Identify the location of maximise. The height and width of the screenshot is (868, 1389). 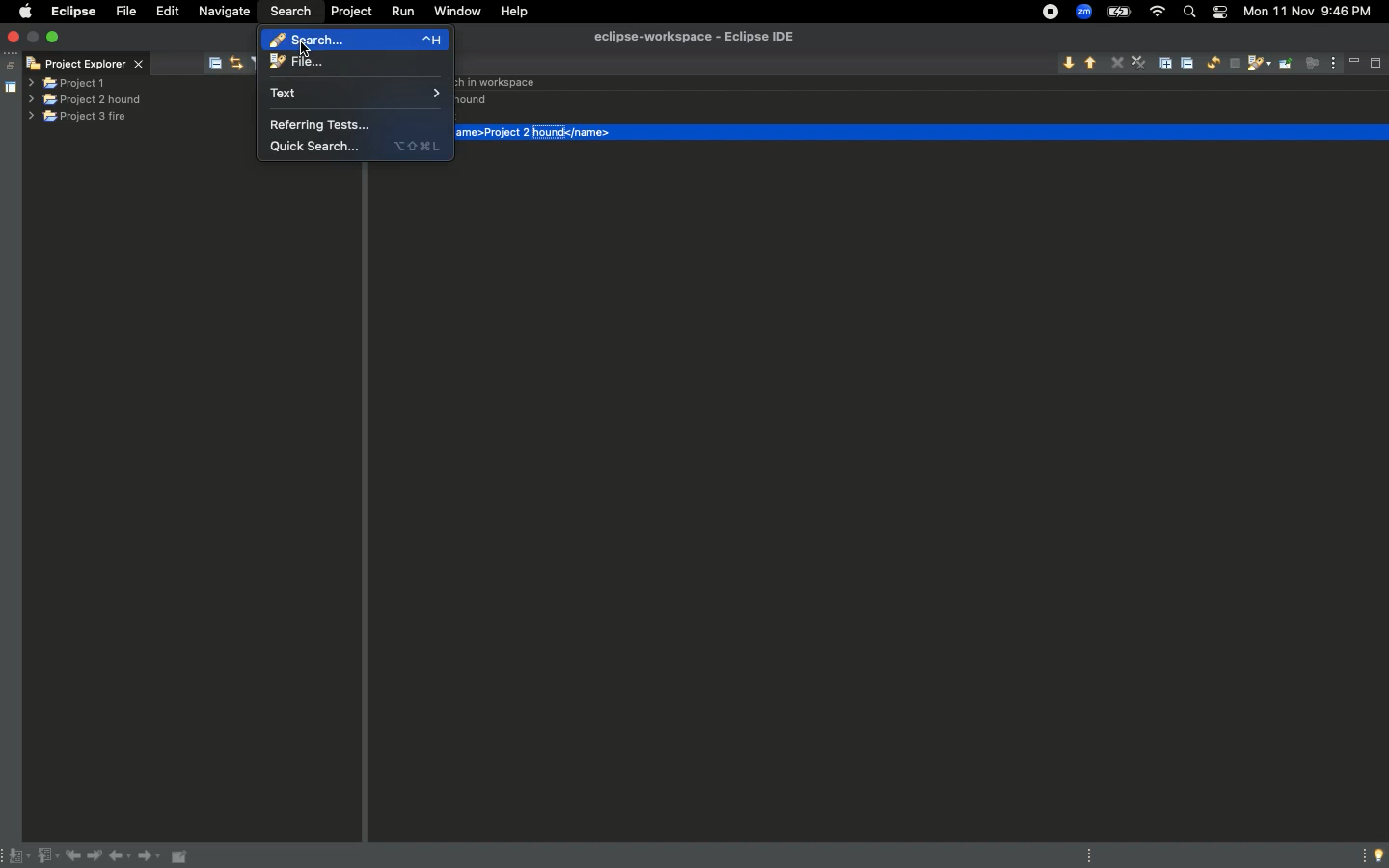
(55, 38).